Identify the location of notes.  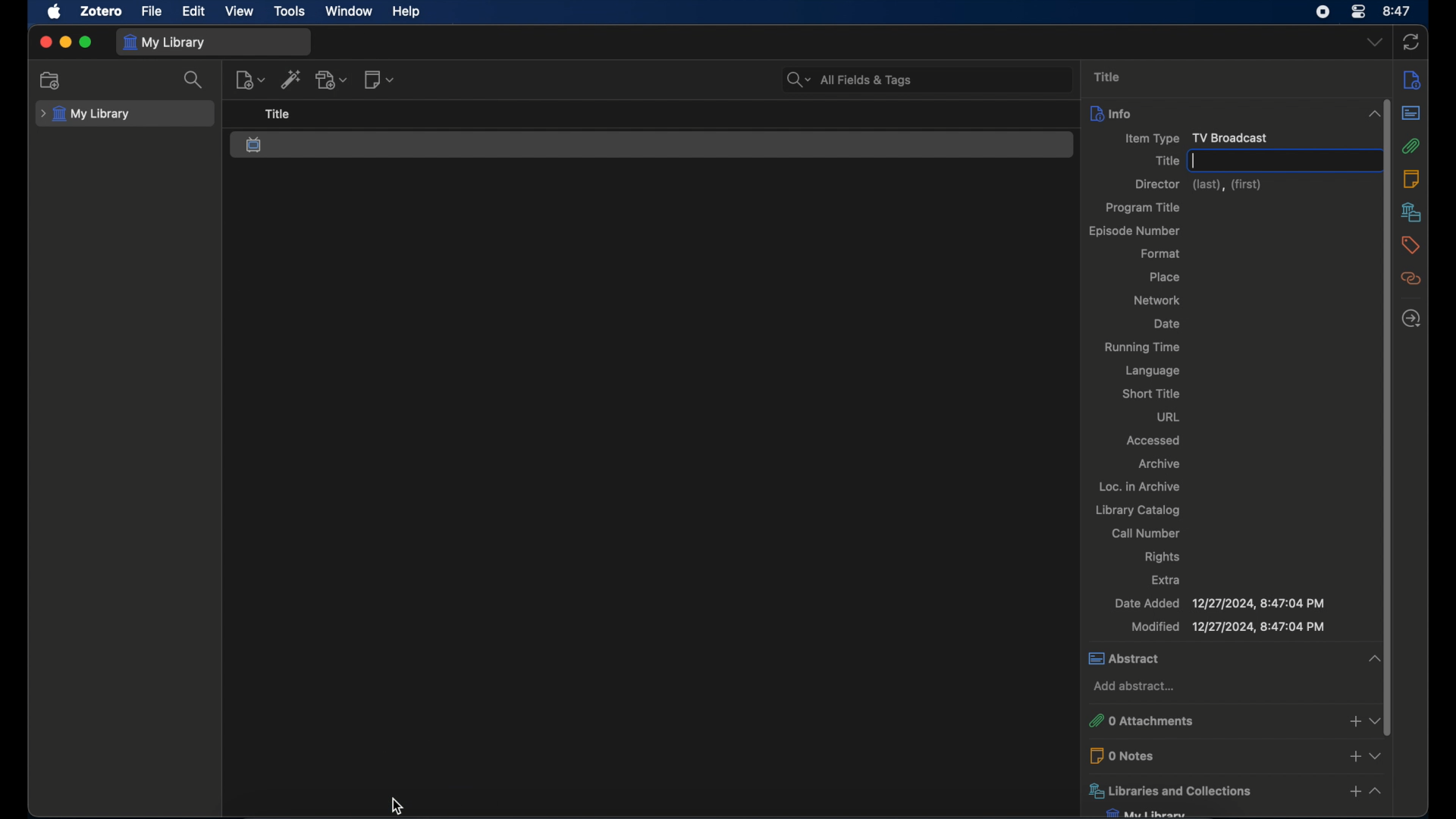
(1410, 178).